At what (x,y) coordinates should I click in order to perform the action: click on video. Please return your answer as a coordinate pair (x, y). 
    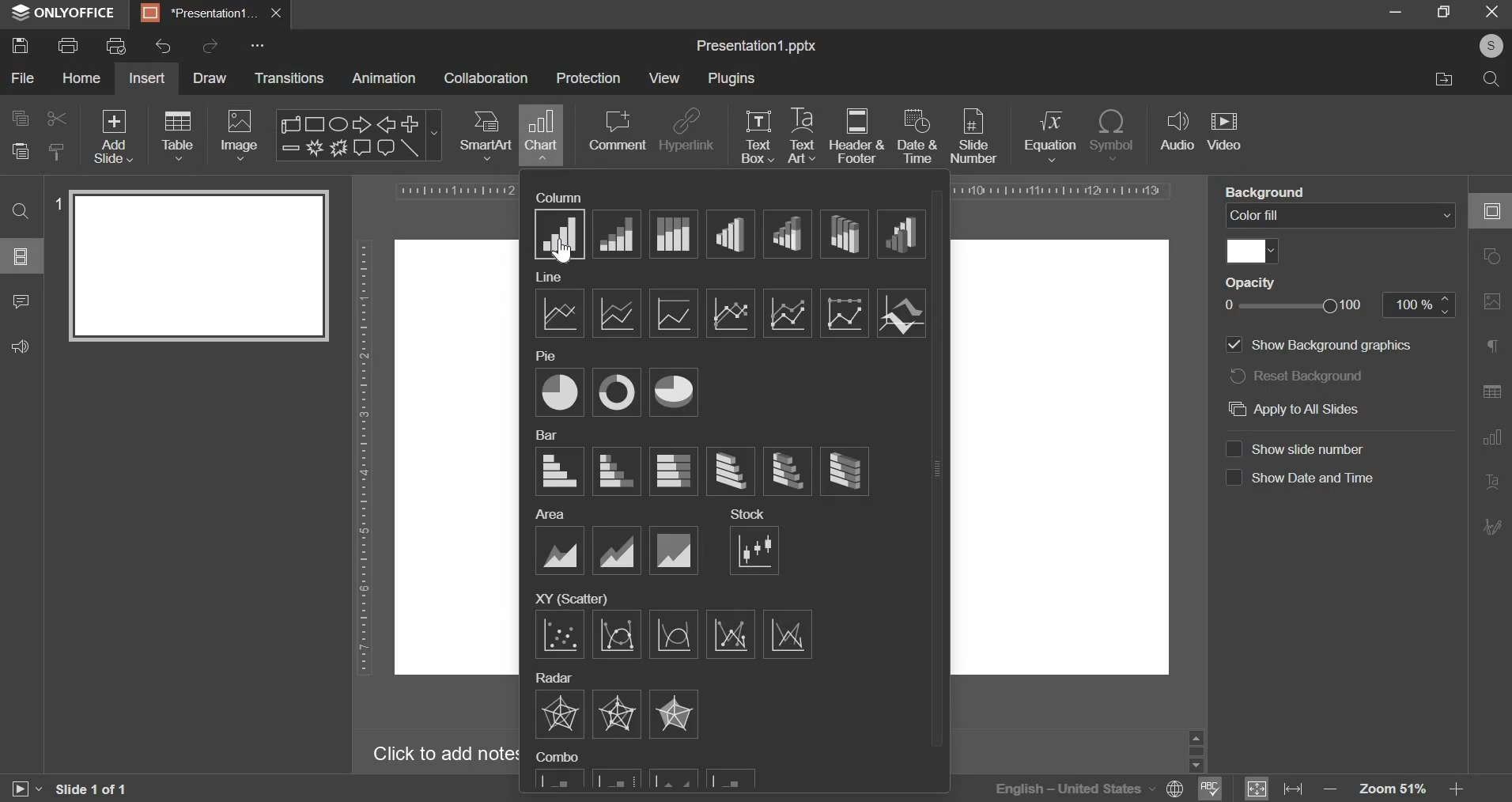
    Looking at the image, I should click on (1225, 130).